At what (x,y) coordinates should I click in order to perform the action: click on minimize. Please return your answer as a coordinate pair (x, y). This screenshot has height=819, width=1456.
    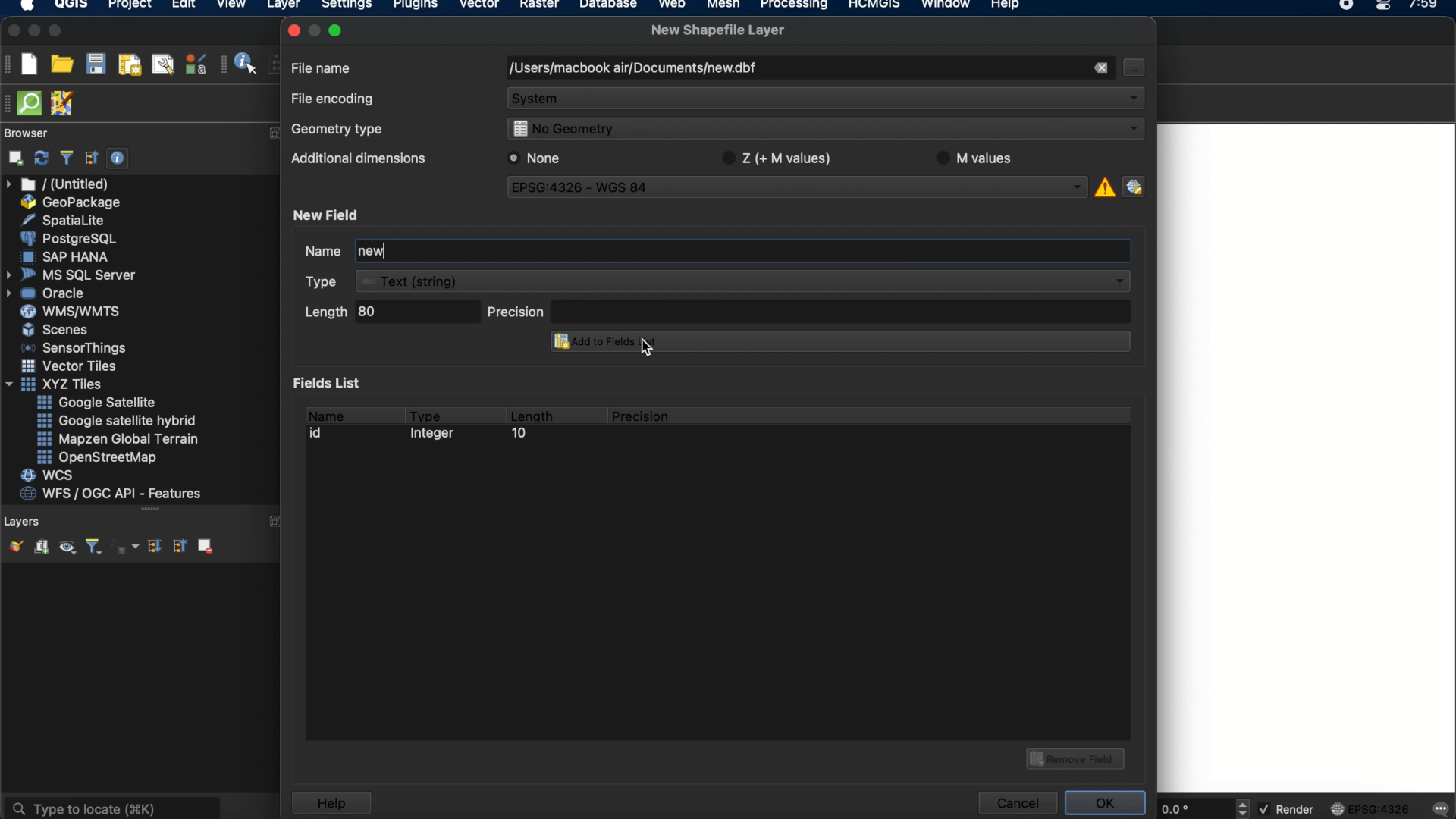
    Looking at the image, I should click on (34, 31).